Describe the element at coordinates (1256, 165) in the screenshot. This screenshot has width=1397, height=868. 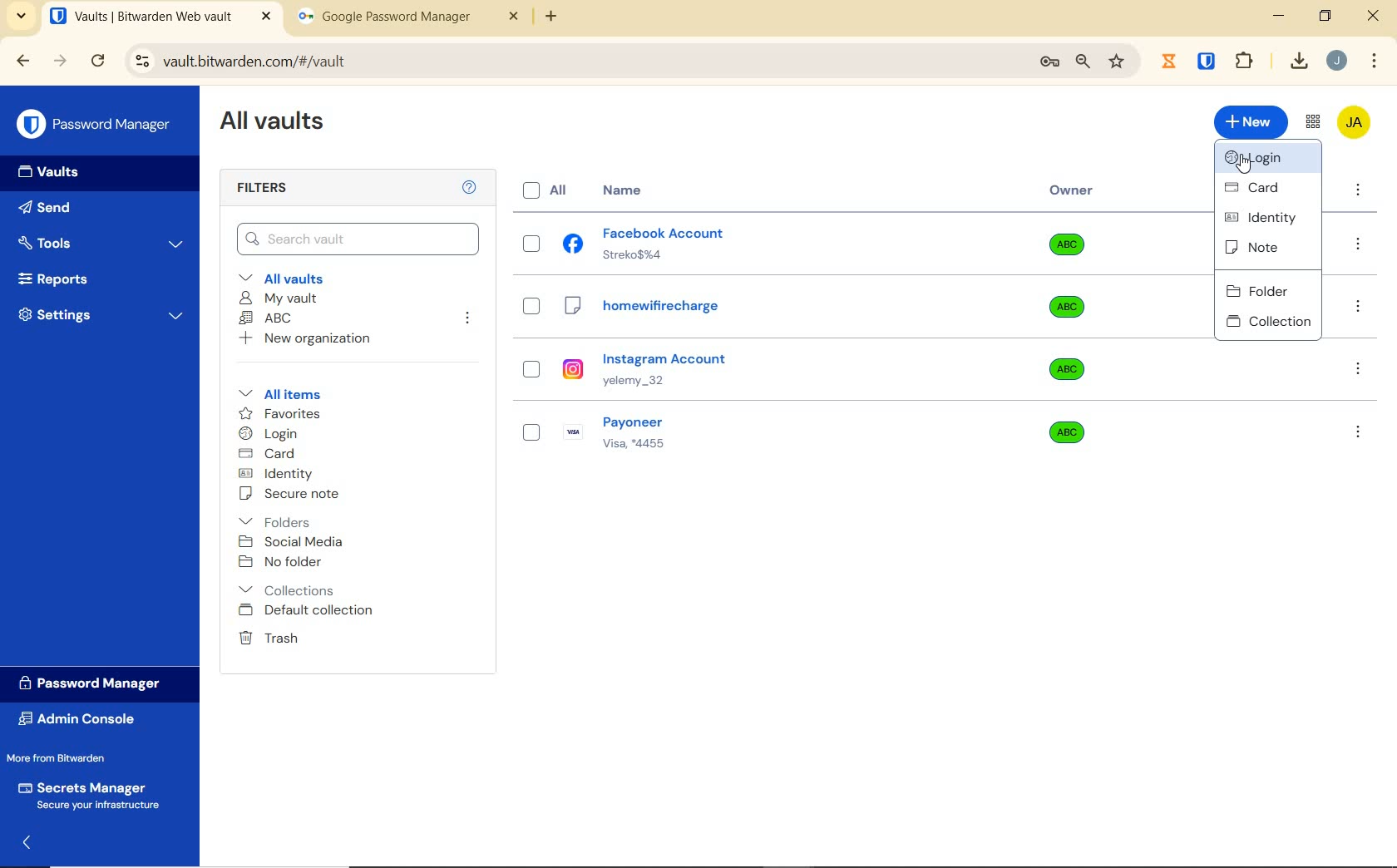
I see `cursor` at that location.